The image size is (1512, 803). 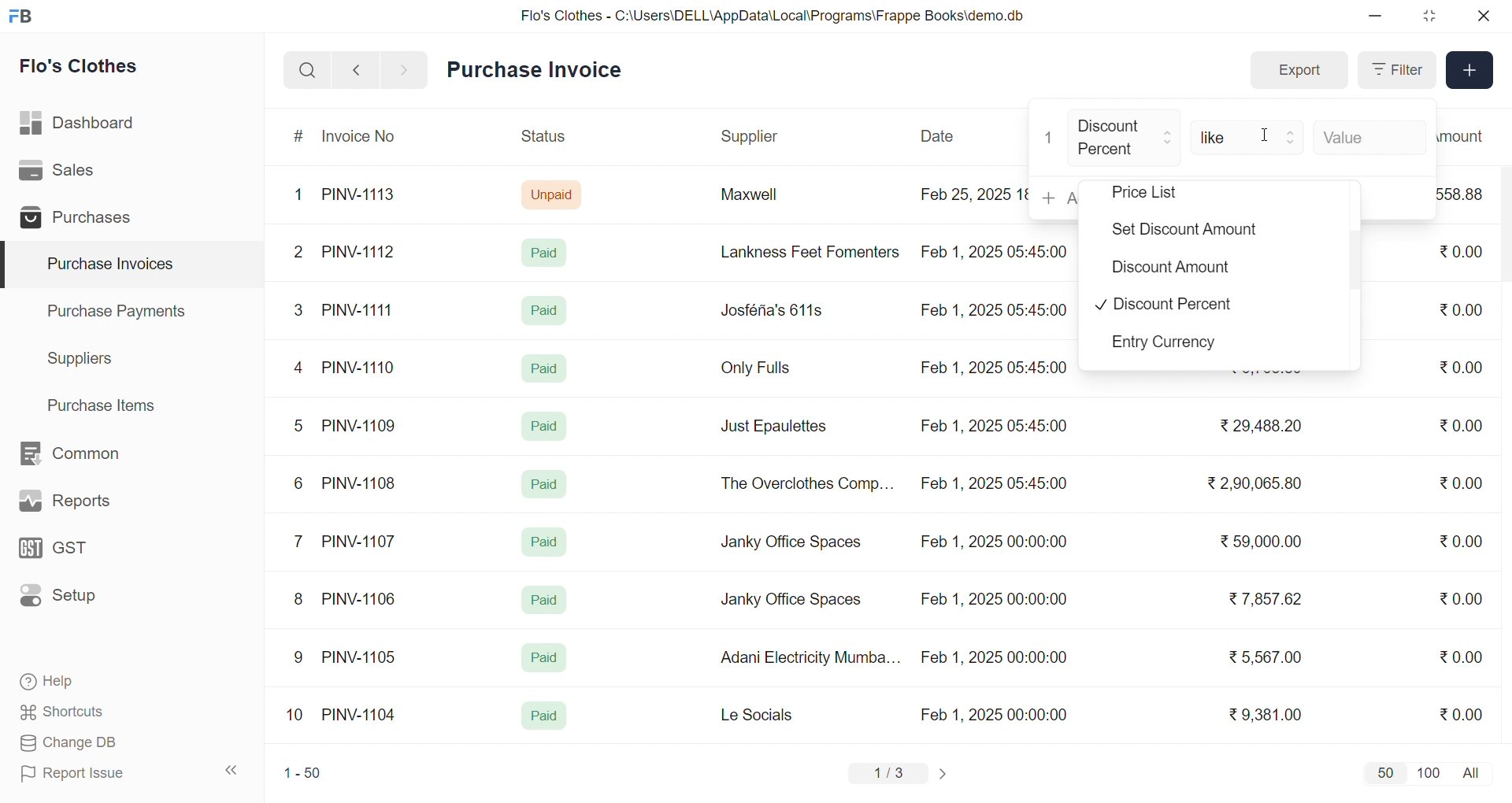 What do you see at coordinates (99, 743) in the screenshot?
I see `Change DB` at bounding box center [99, 743].